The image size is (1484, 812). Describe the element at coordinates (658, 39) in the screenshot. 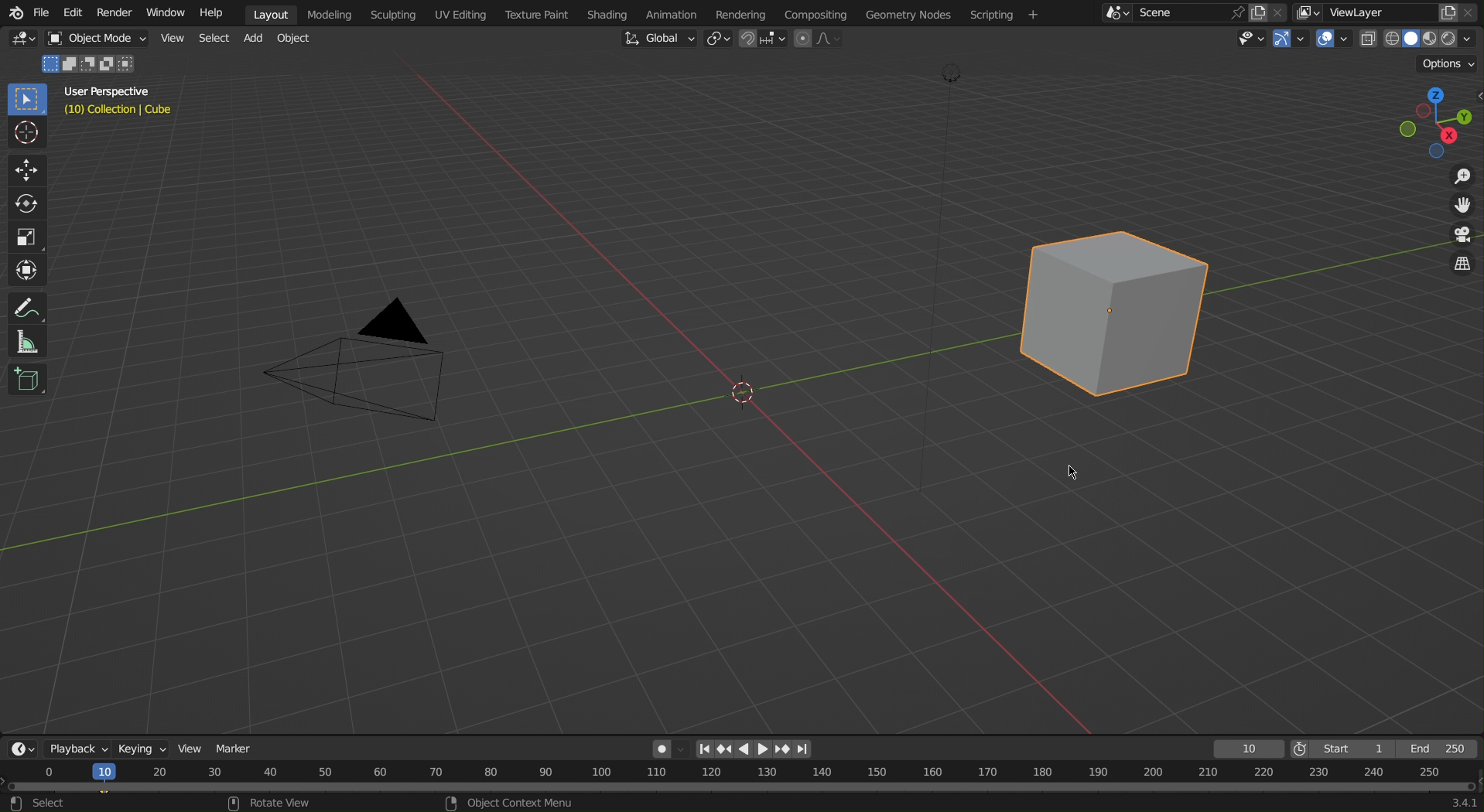

I see `Global` at that location.